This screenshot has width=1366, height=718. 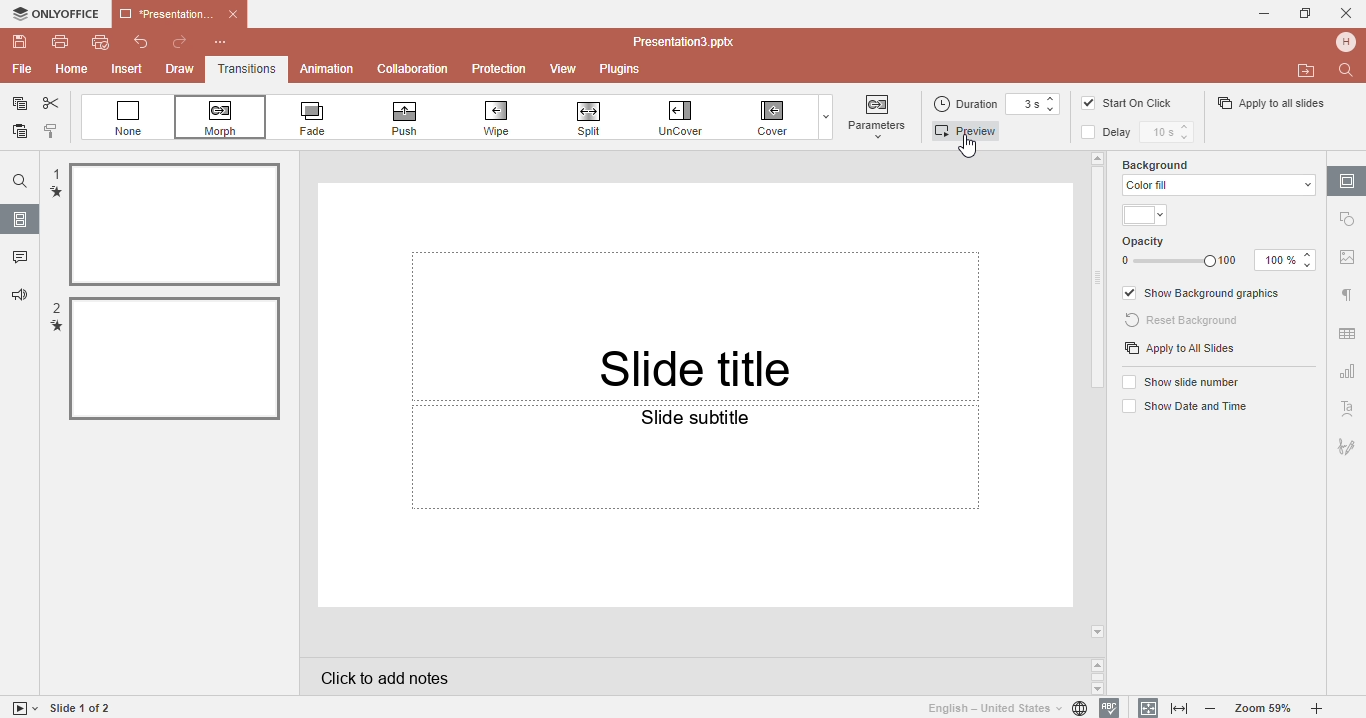 What do you see at coordinates (421, 118) in the screenshot?
I see `Push` at bounding box center [421, 118].